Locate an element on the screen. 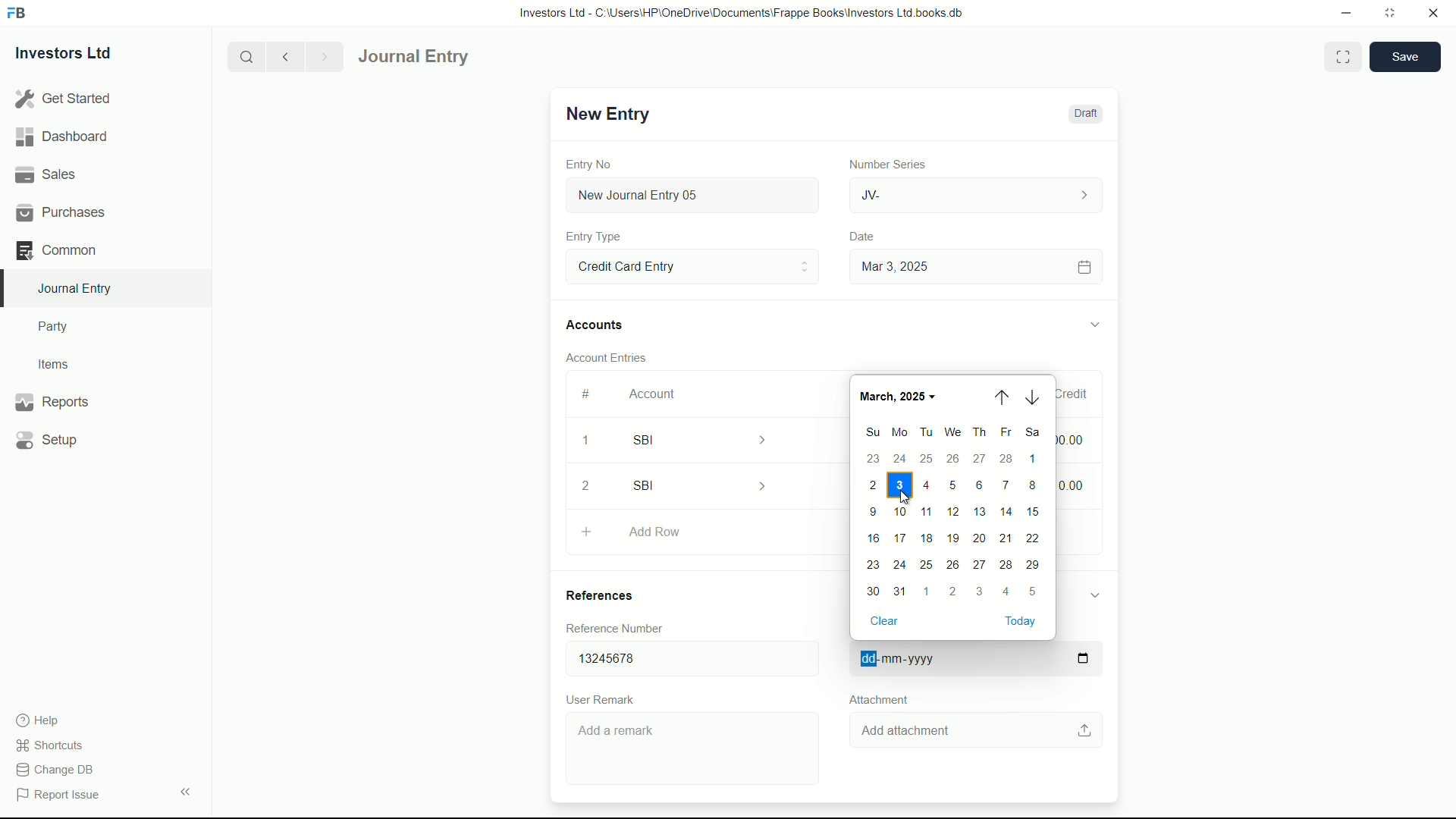  close is located at coordinates (1434, 14).